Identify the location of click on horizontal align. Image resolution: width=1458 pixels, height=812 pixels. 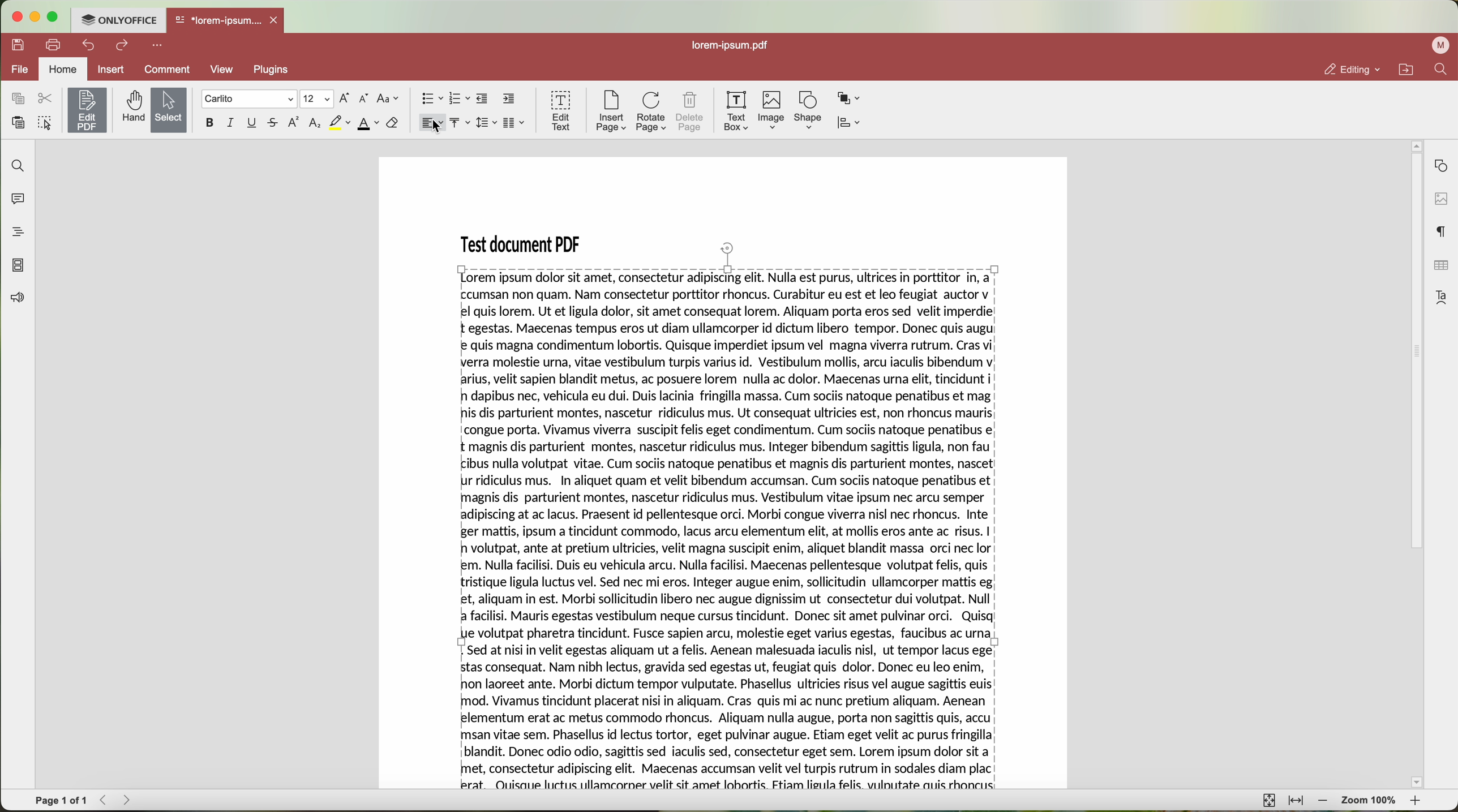
(433, 123).